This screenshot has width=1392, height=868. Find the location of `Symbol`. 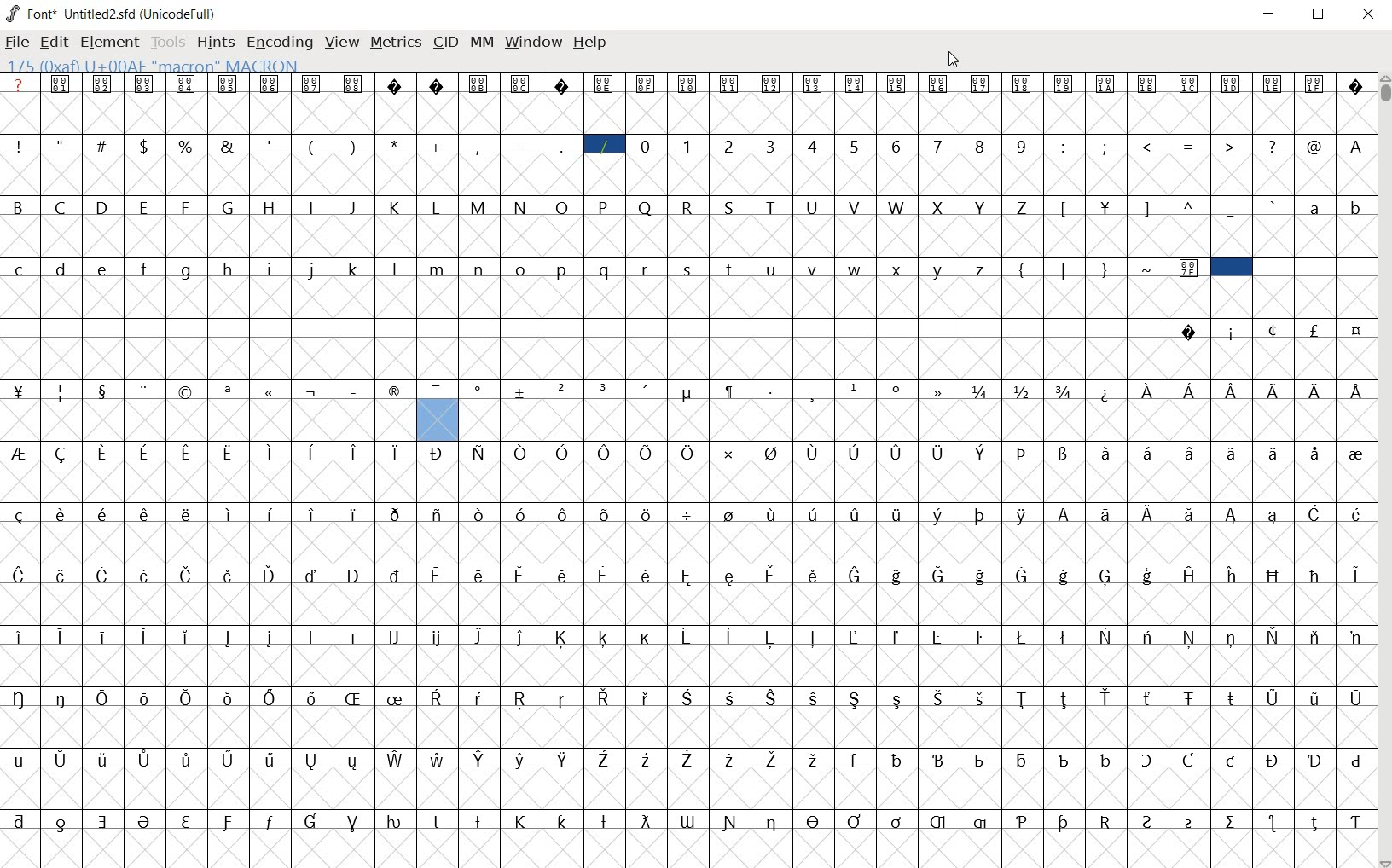

Symbol is located at coordinates (438, 637).